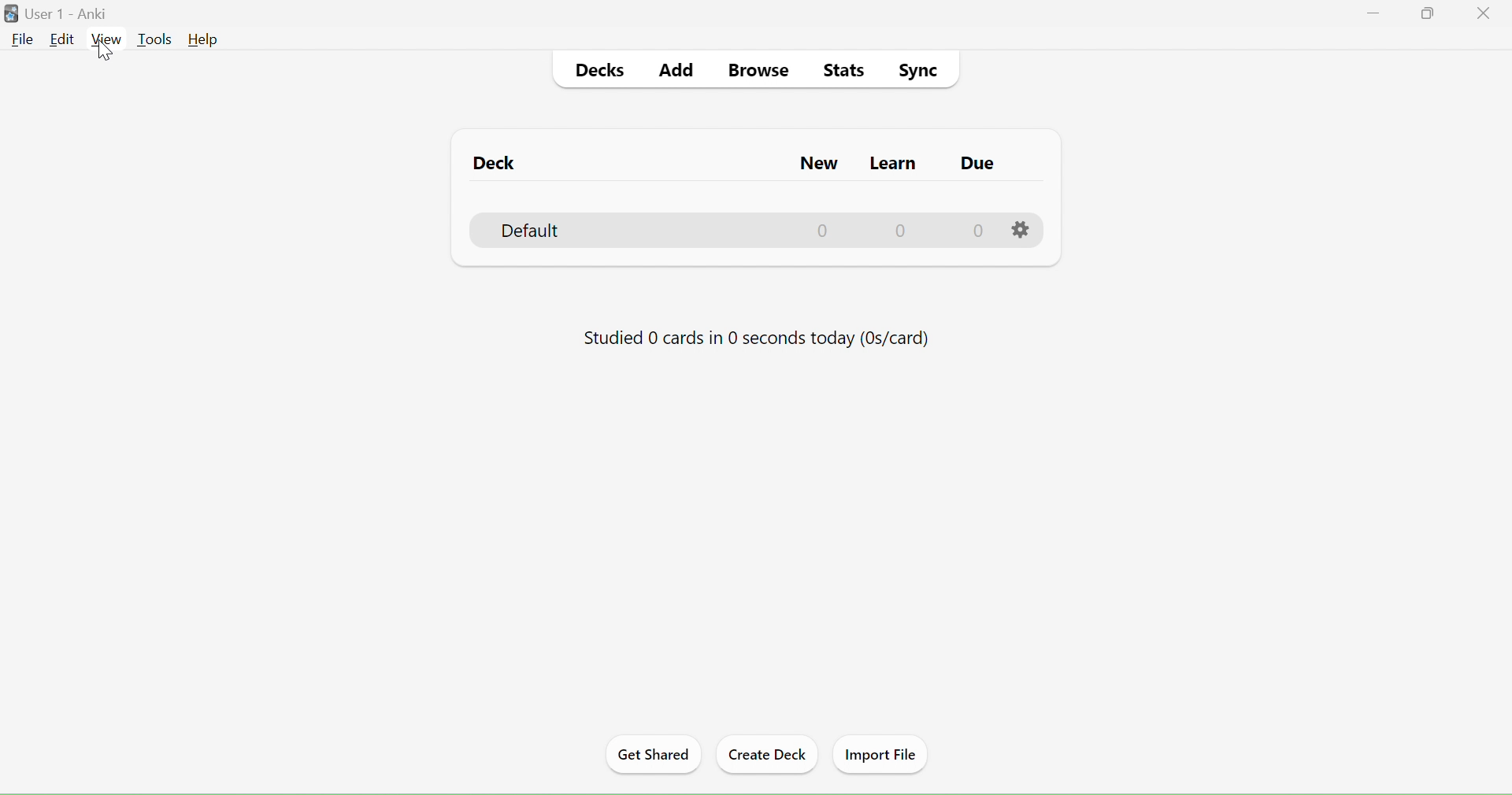 This screenshot has width=1512, height=795. I want to click on file, so click(23, 39).